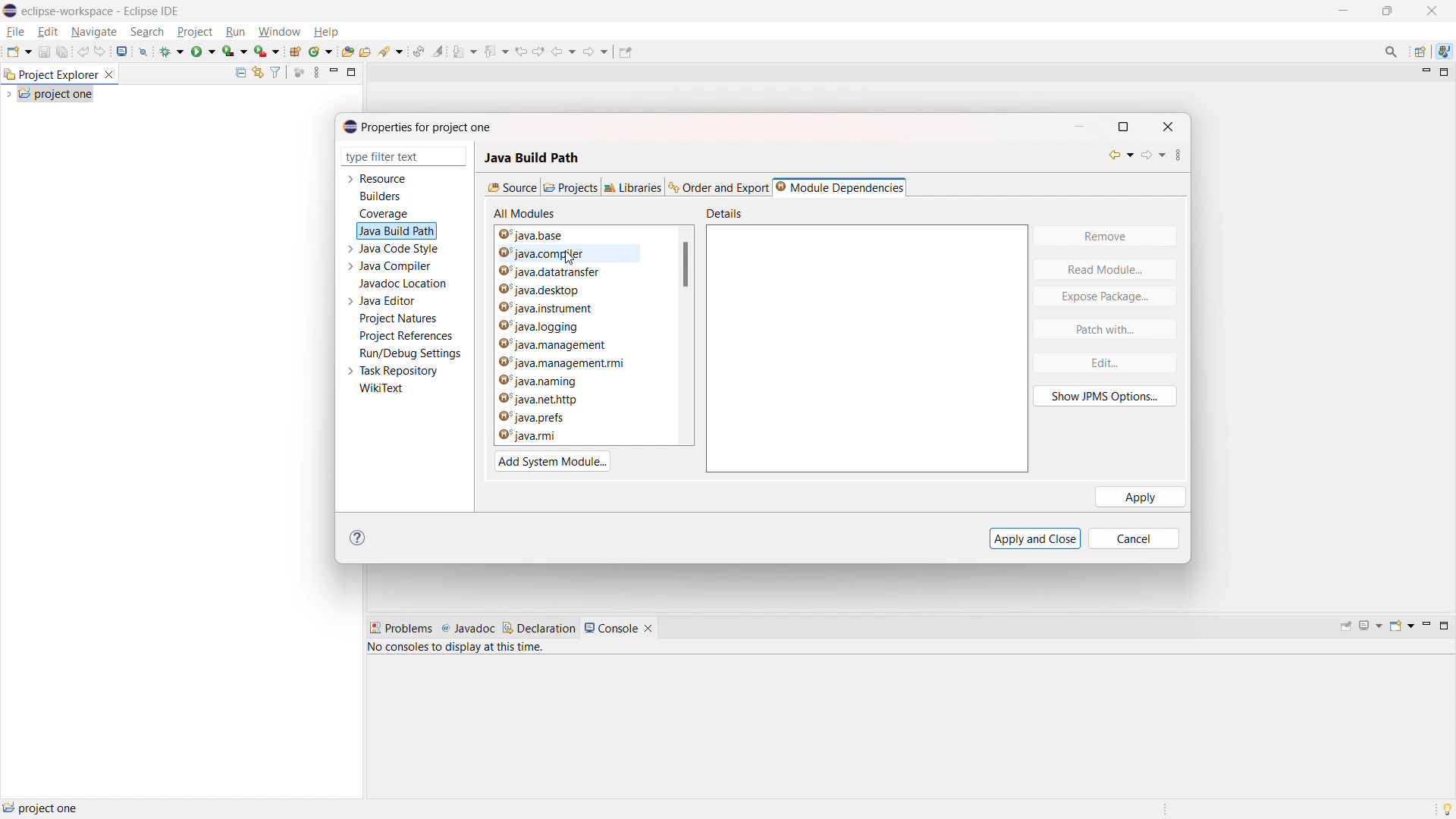 The image size is (1456, 819). What do you see at coordinates (16, 32) in the screenshot?
I see `file` at bounding box center [16, 32].